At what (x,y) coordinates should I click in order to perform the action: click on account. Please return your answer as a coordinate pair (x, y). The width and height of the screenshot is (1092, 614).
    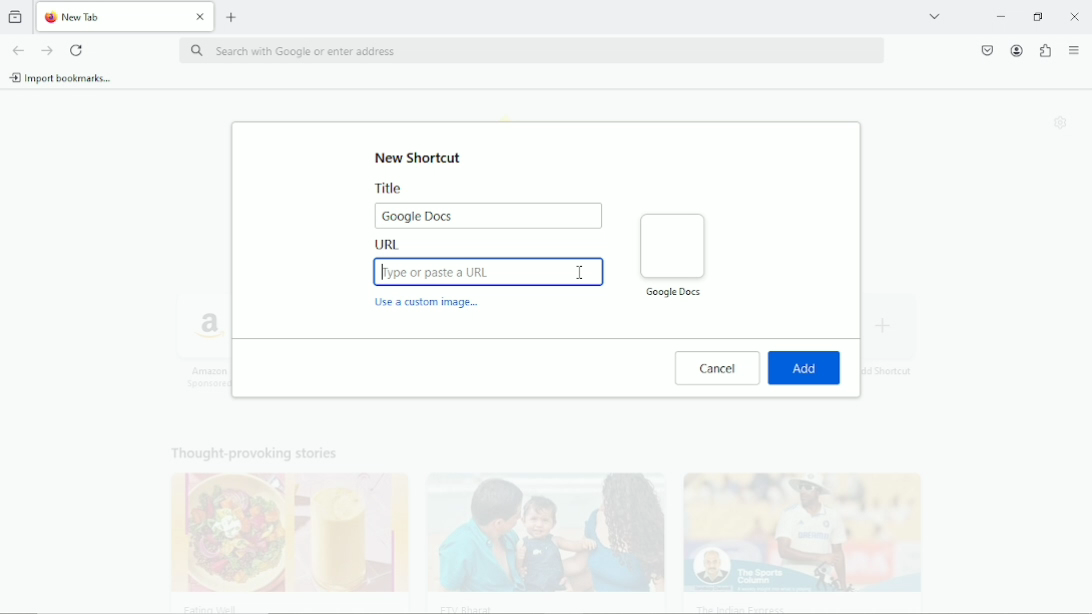
    Looking at the image, I should click on (1015, 50).